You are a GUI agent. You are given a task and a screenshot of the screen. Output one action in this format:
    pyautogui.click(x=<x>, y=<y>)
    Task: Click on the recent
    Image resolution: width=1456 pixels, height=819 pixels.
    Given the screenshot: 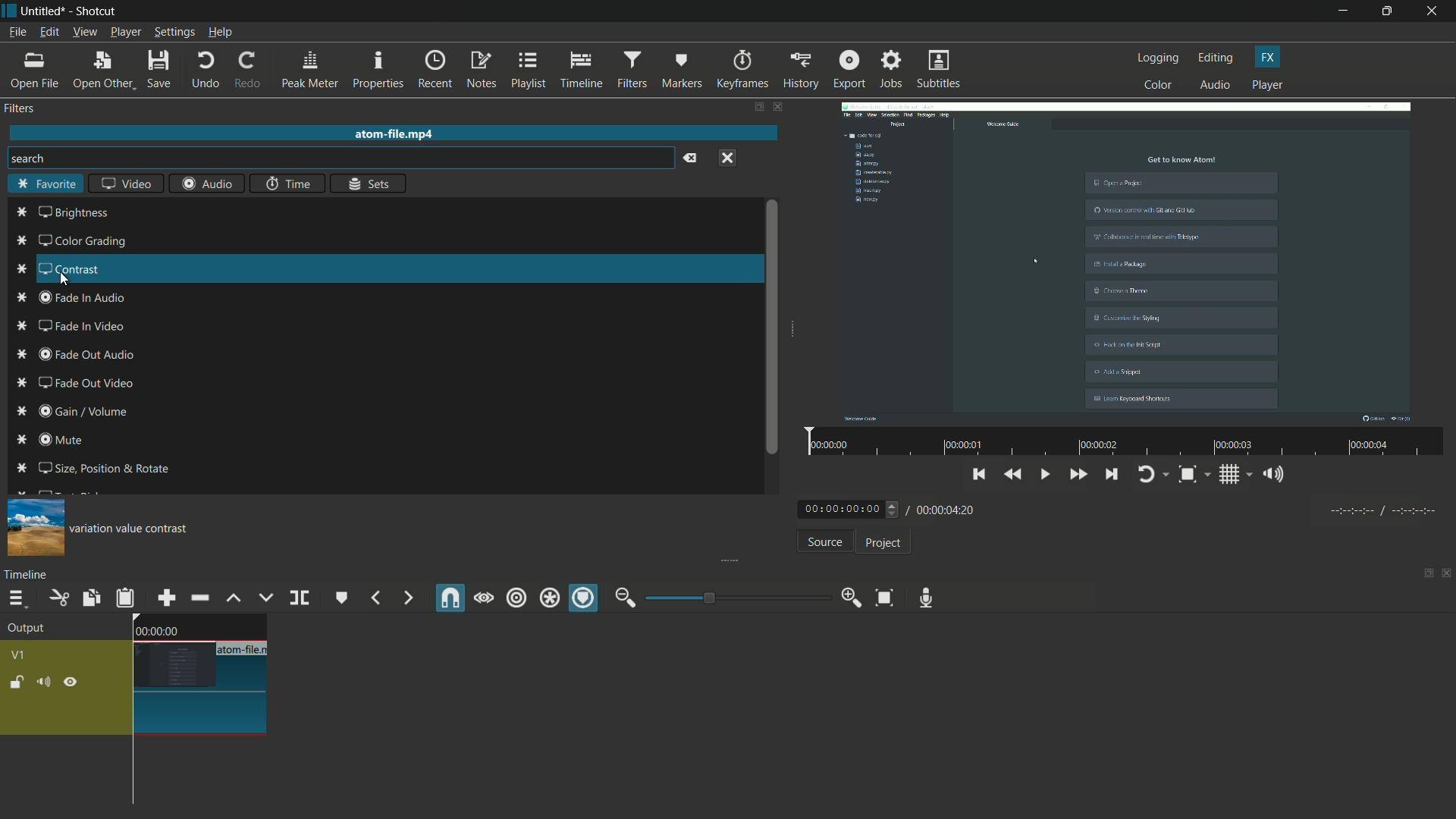 What is the action you would take?
    pyautogui.click(x=437, y=69)
    